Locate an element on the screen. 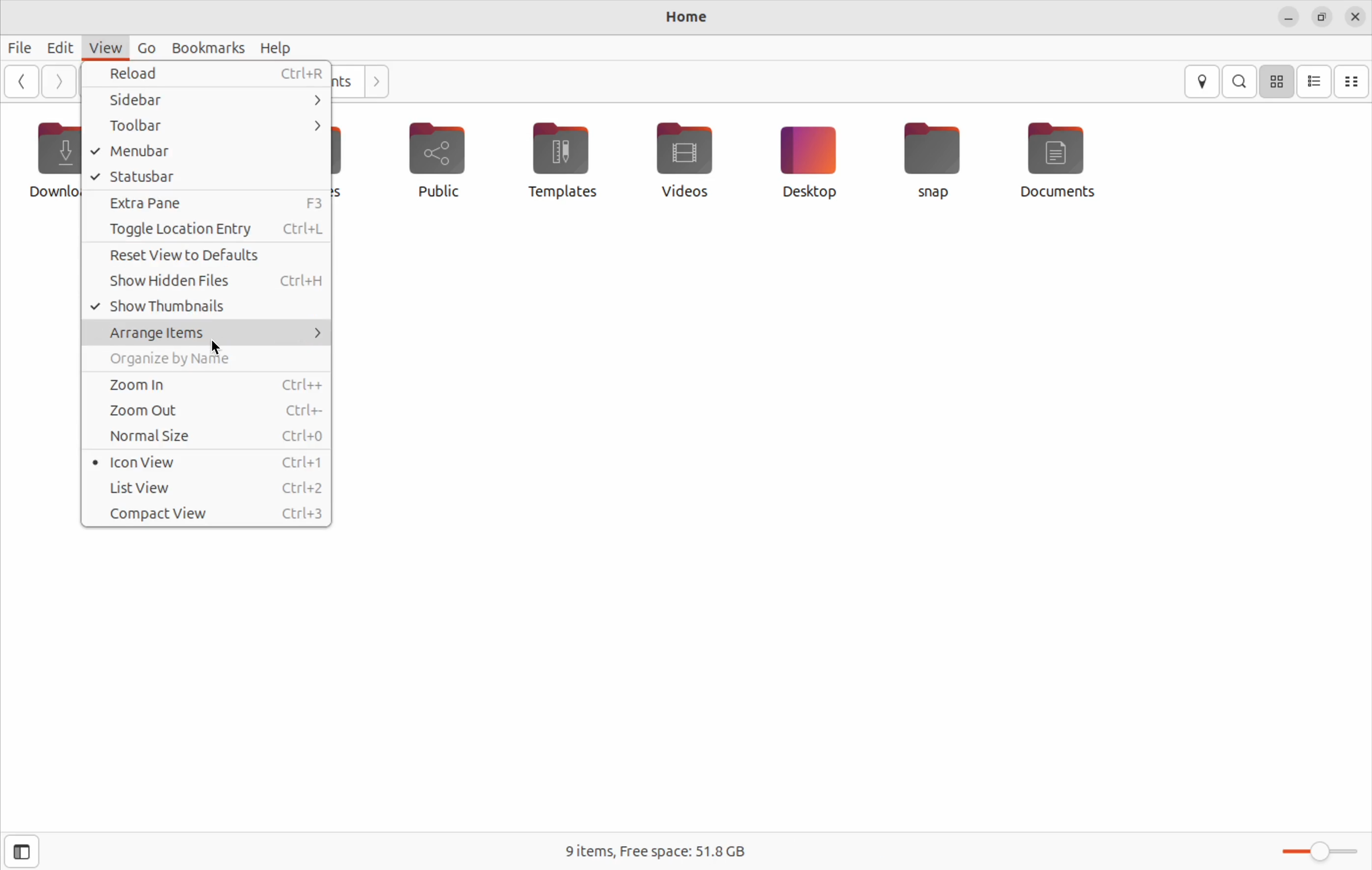 The width and height of the screenshot is (1372, 870). Edit is located at coordinates (60, 47).